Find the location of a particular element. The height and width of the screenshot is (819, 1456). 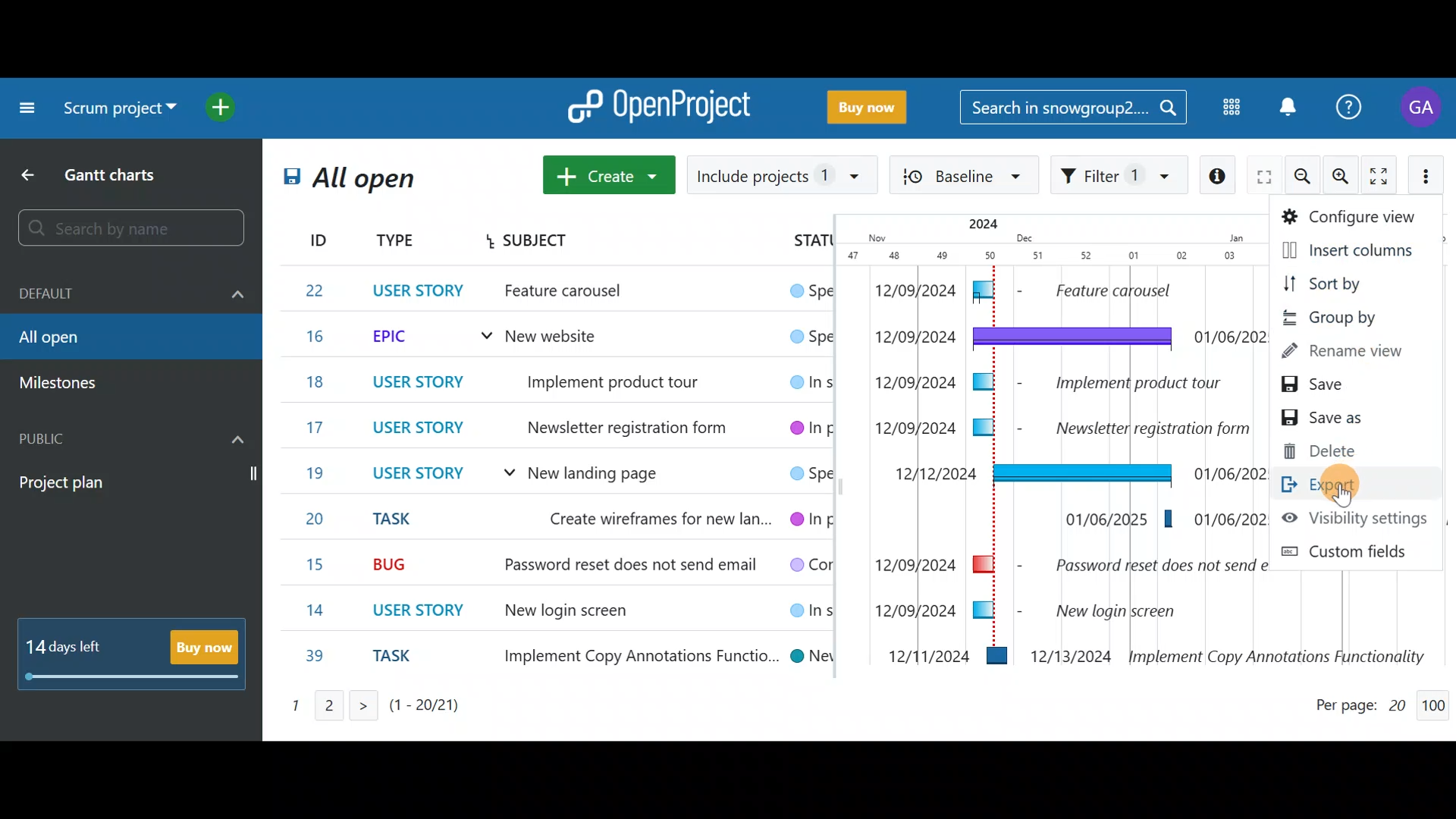

Zoom in is located at coordinates (1342, 177).